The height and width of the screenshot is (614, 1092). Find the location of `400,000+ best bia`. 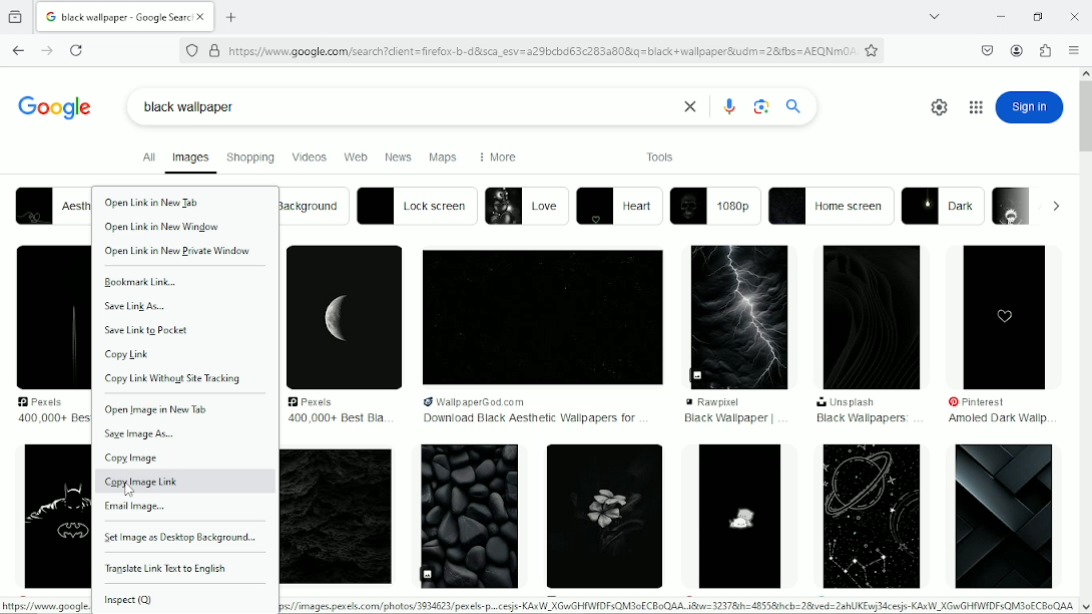

400,000+ best bia is located at coordinates (333, 418).